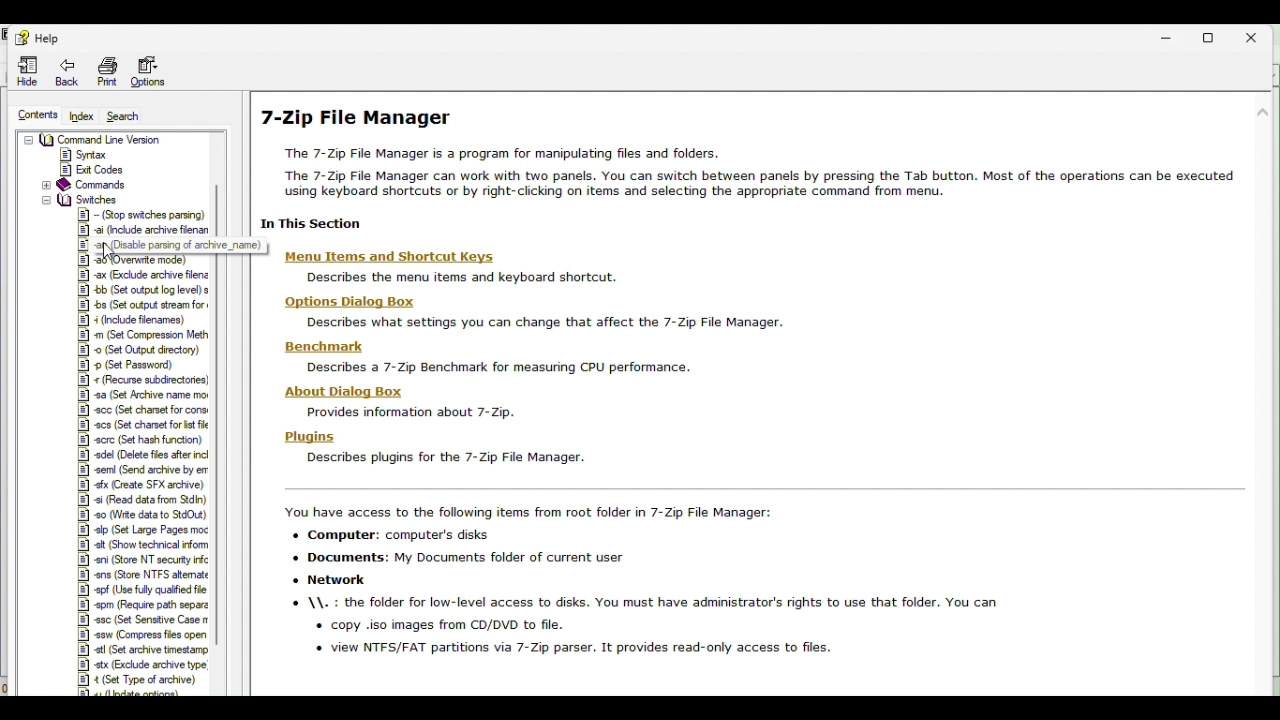 The image size is (1280, 720). Describe the element at coordinates (140, 664) in the screenshot. I see `8) tx (Exclude archyve type` at that location.